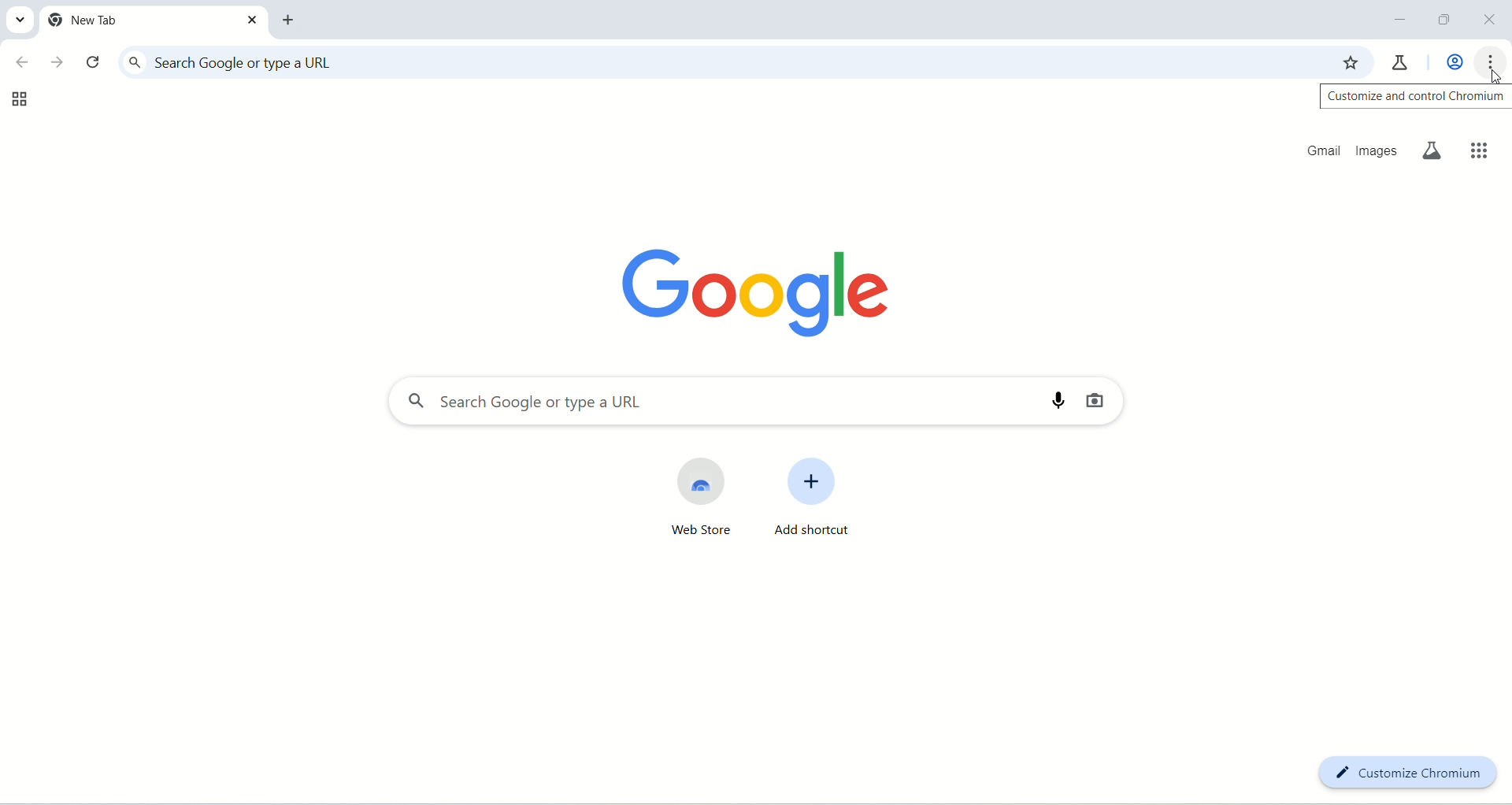  I want to click on go forward, so click(56, 60).